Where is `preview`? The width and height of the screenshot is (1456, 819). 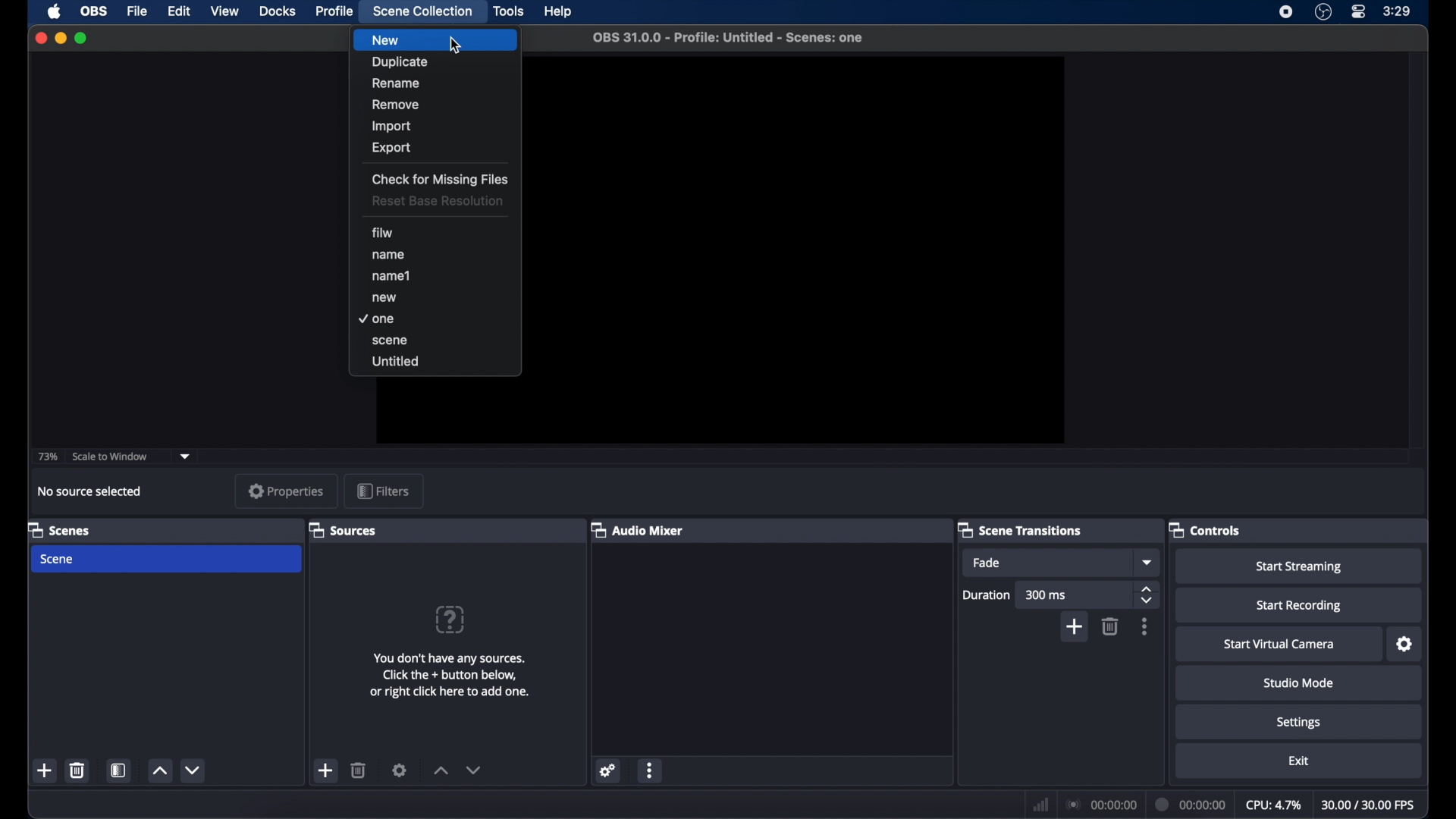 preview is located at coordinates (811, 251).